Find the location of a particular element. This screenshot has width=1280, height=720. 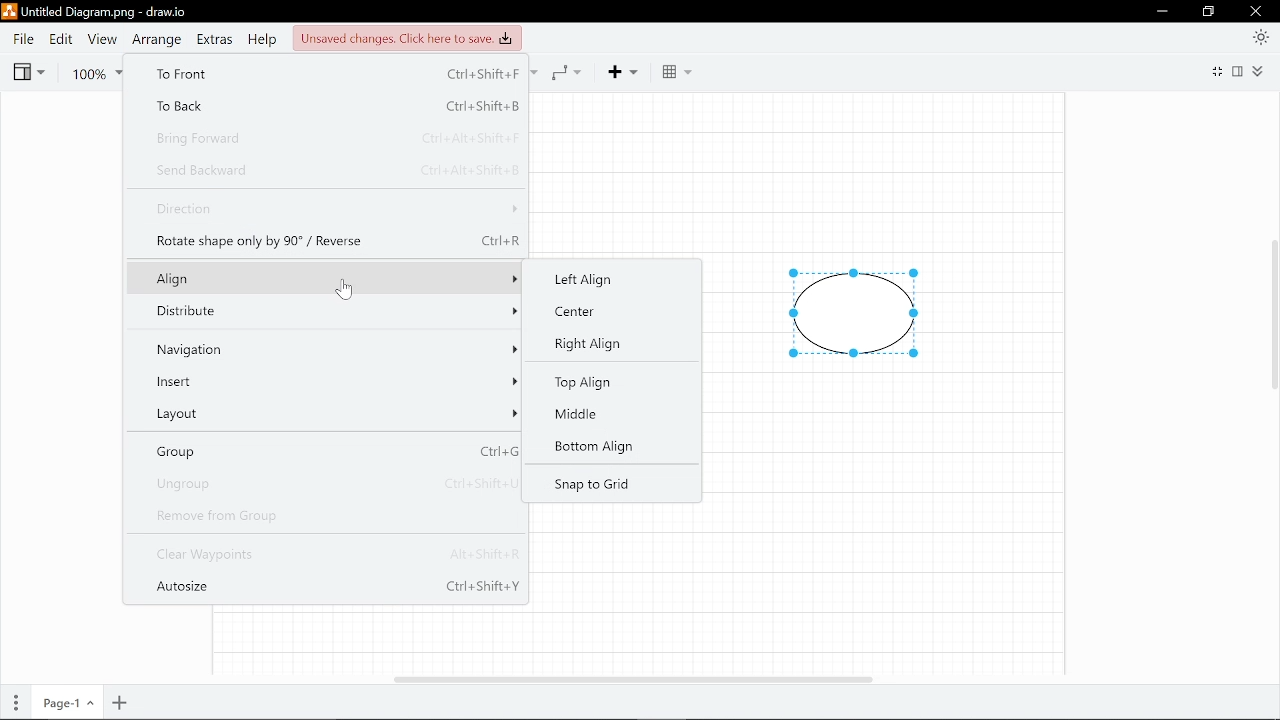

Insert is located at coordinates (331, 380).